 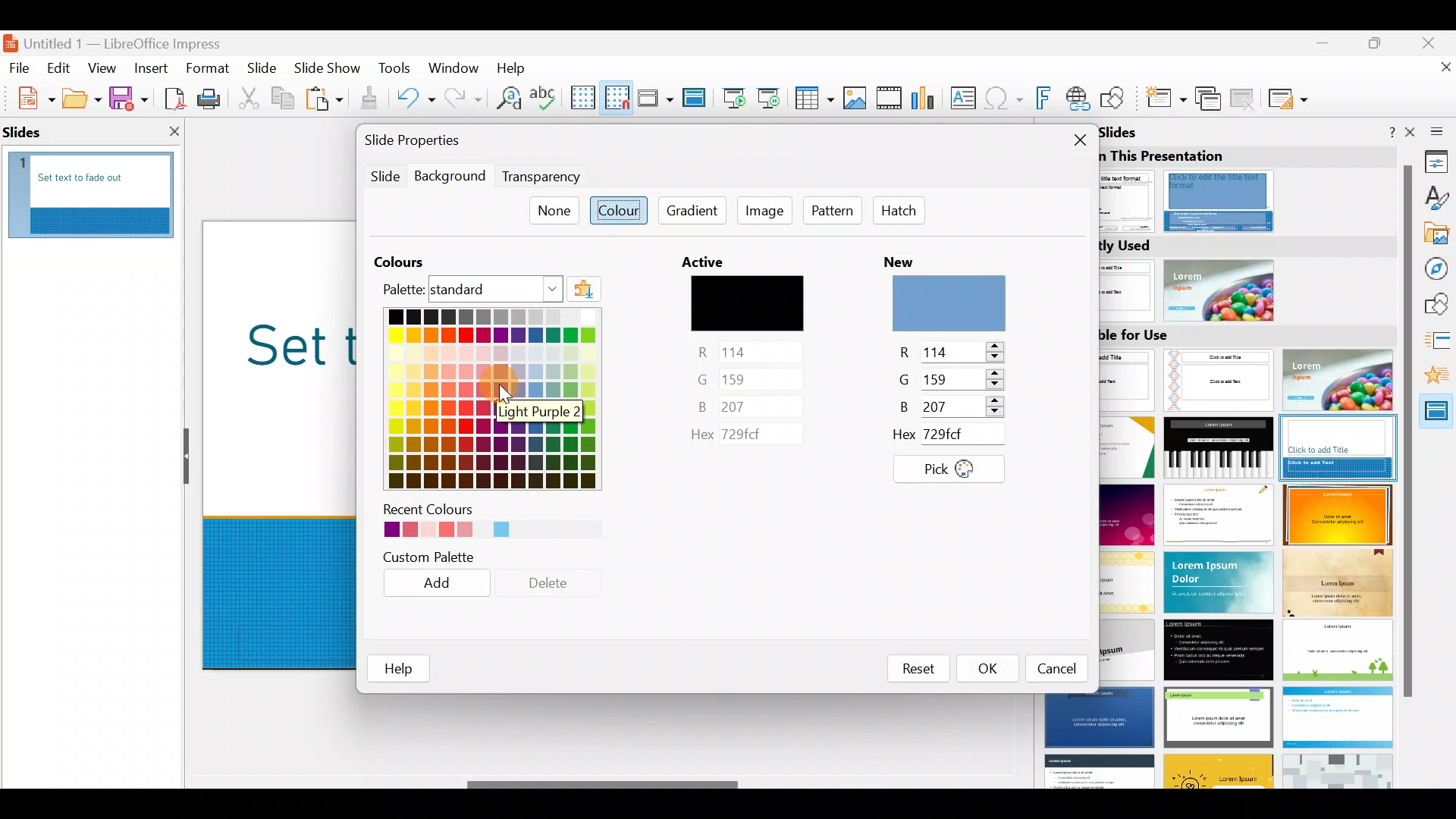 What do you see at coordinates (1116, 99) in the screenshot?
I see `Show draw functions` at bounding box center [1116, 99].